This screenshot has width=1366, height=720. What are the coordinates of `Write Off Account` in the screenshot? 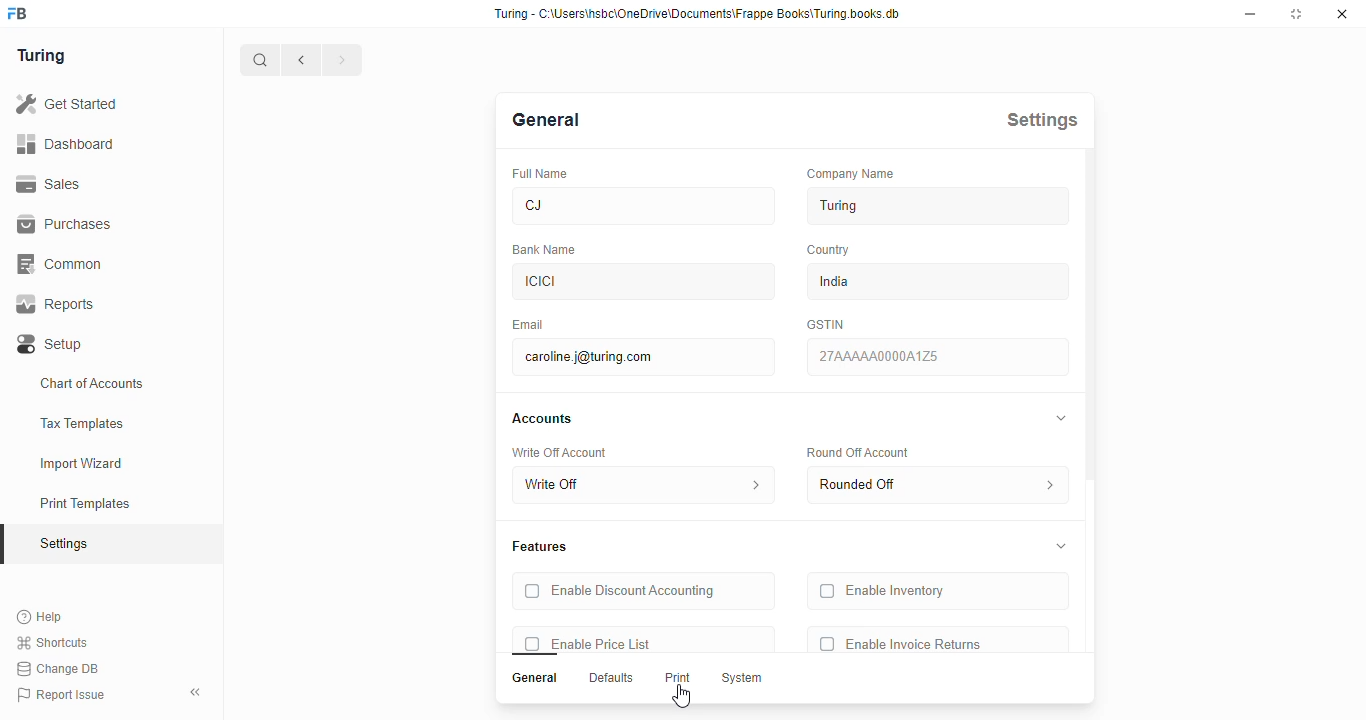 It's located at (561, 452).